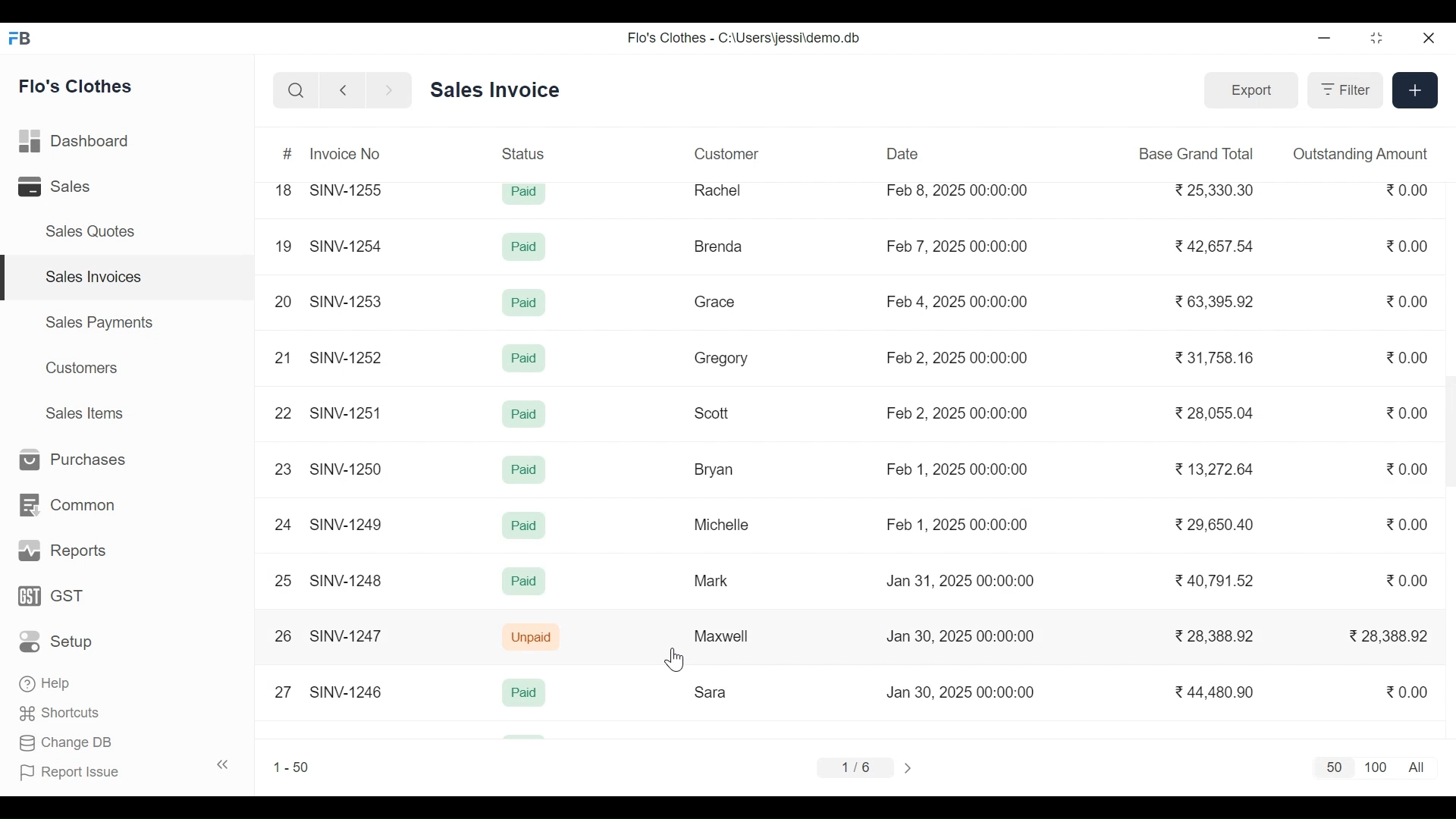 Image resolution: width=1456 pixels, height=819 pixels. Describe the element at coordinates (957, 246) in the screenshot. I see `Feb 7, 2025 00:00:00` at that location.